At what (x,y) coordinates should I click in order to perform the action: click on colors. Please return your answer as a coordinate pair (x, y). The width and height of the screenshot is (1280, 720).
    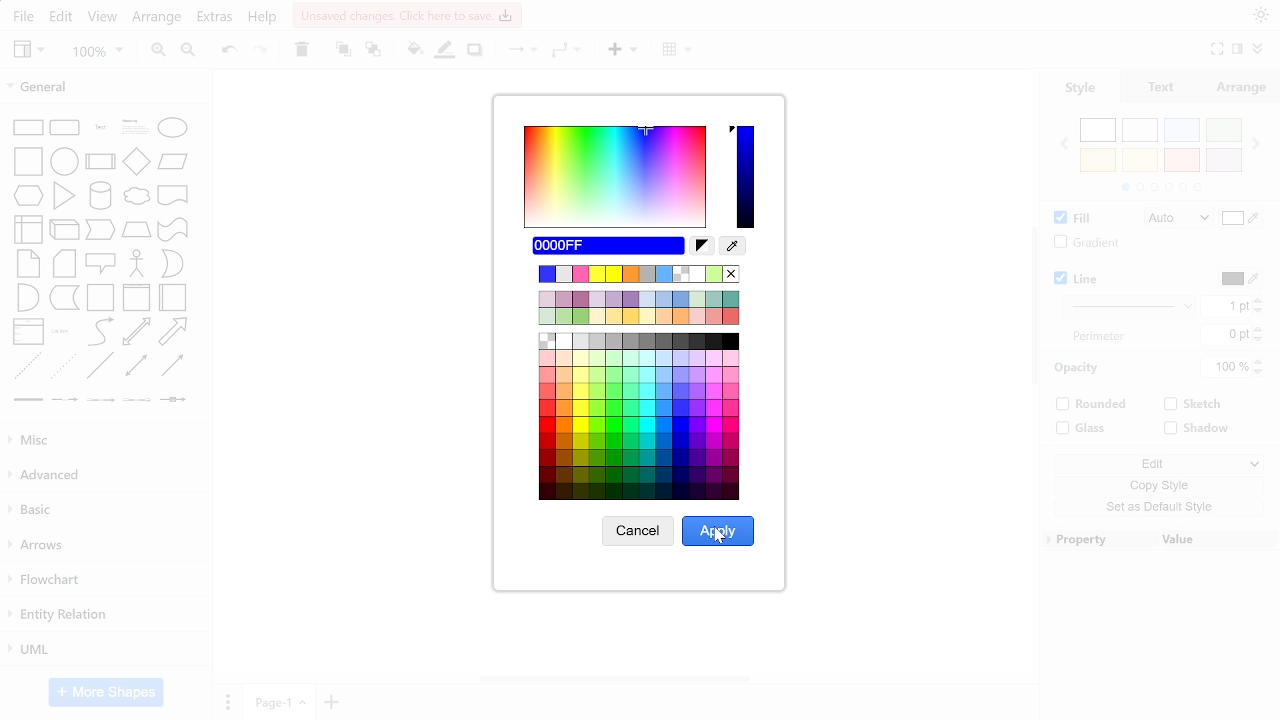
    Looking at the image, I should click on (1160, 155).